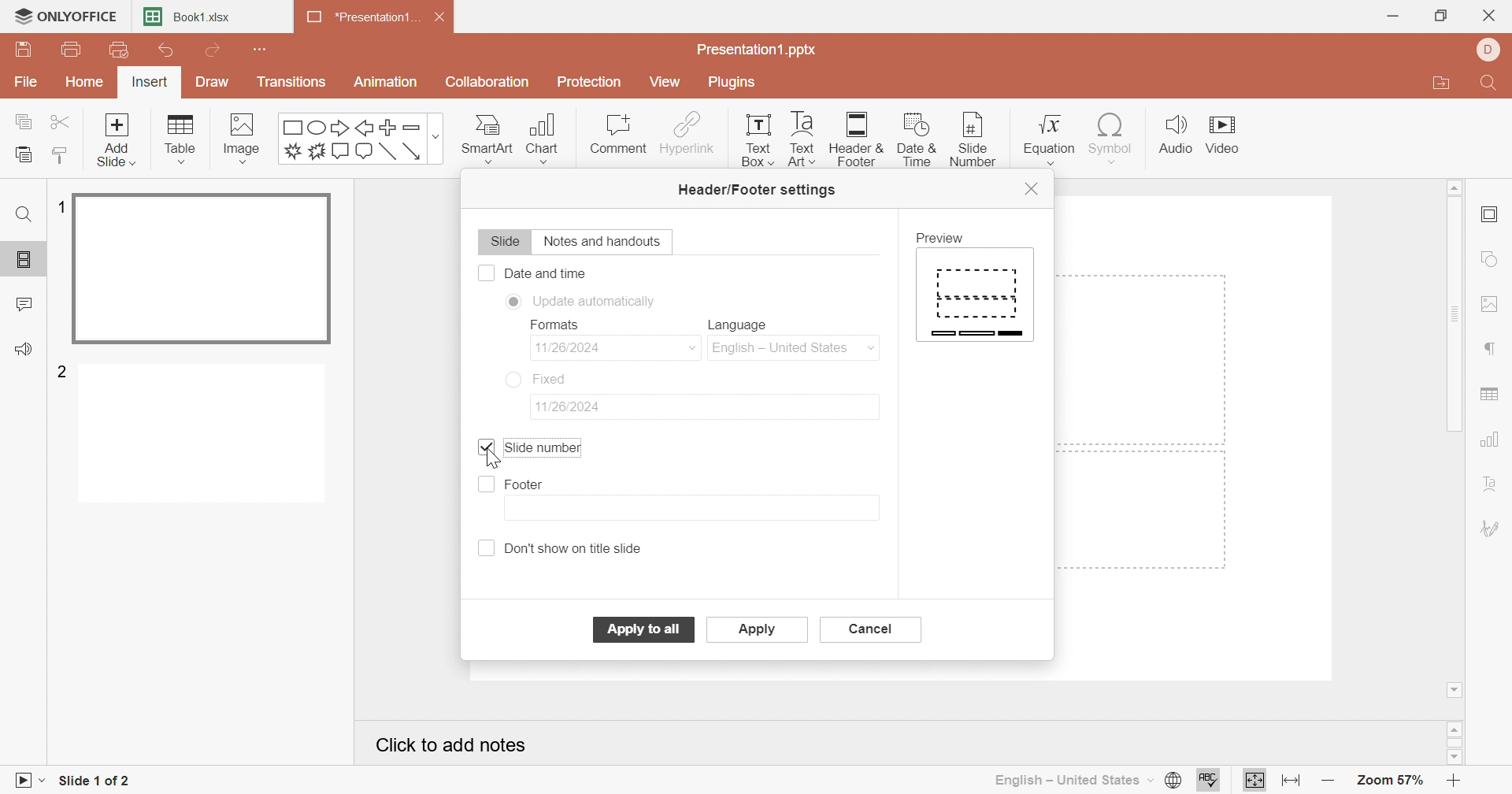 The image size is (1512, 794). I want to click on Transitions, so click(292, 82).